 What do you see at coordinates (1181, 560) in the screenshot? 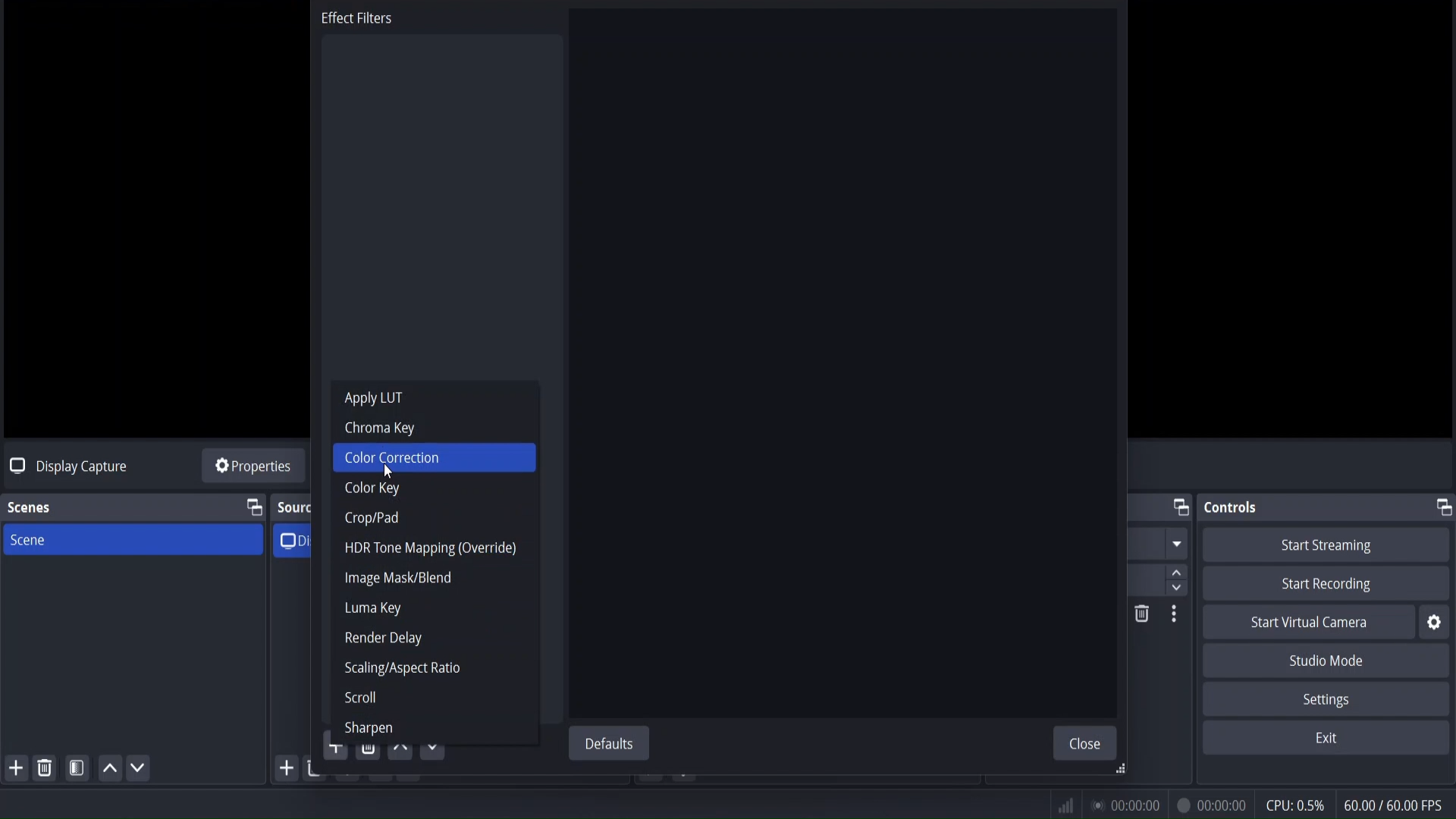
I see `up/down button` at bounding box center [1181, 560].